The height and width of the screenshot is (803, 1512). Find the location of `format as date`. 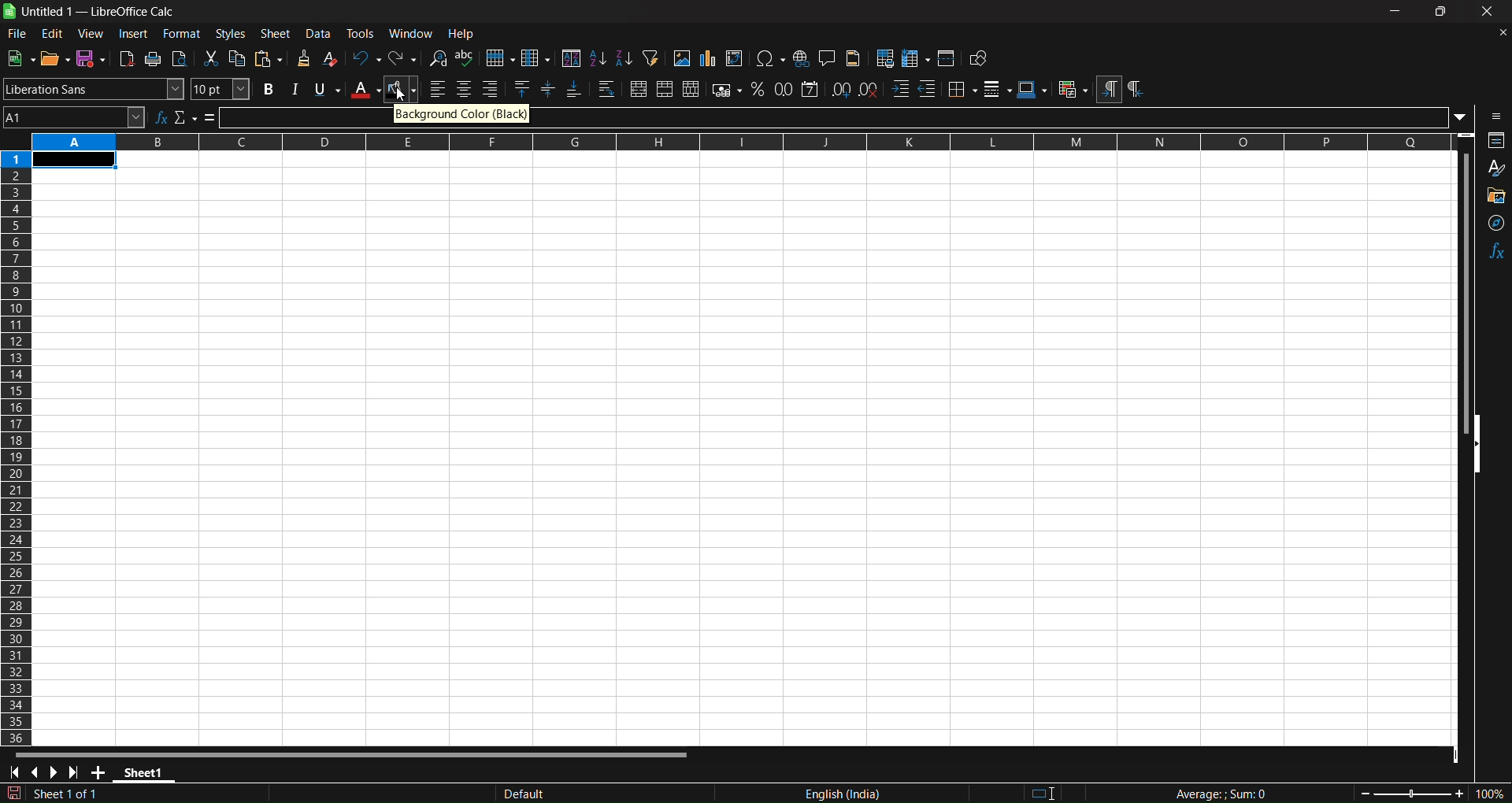

format as date is located at coordinates (810, 90).